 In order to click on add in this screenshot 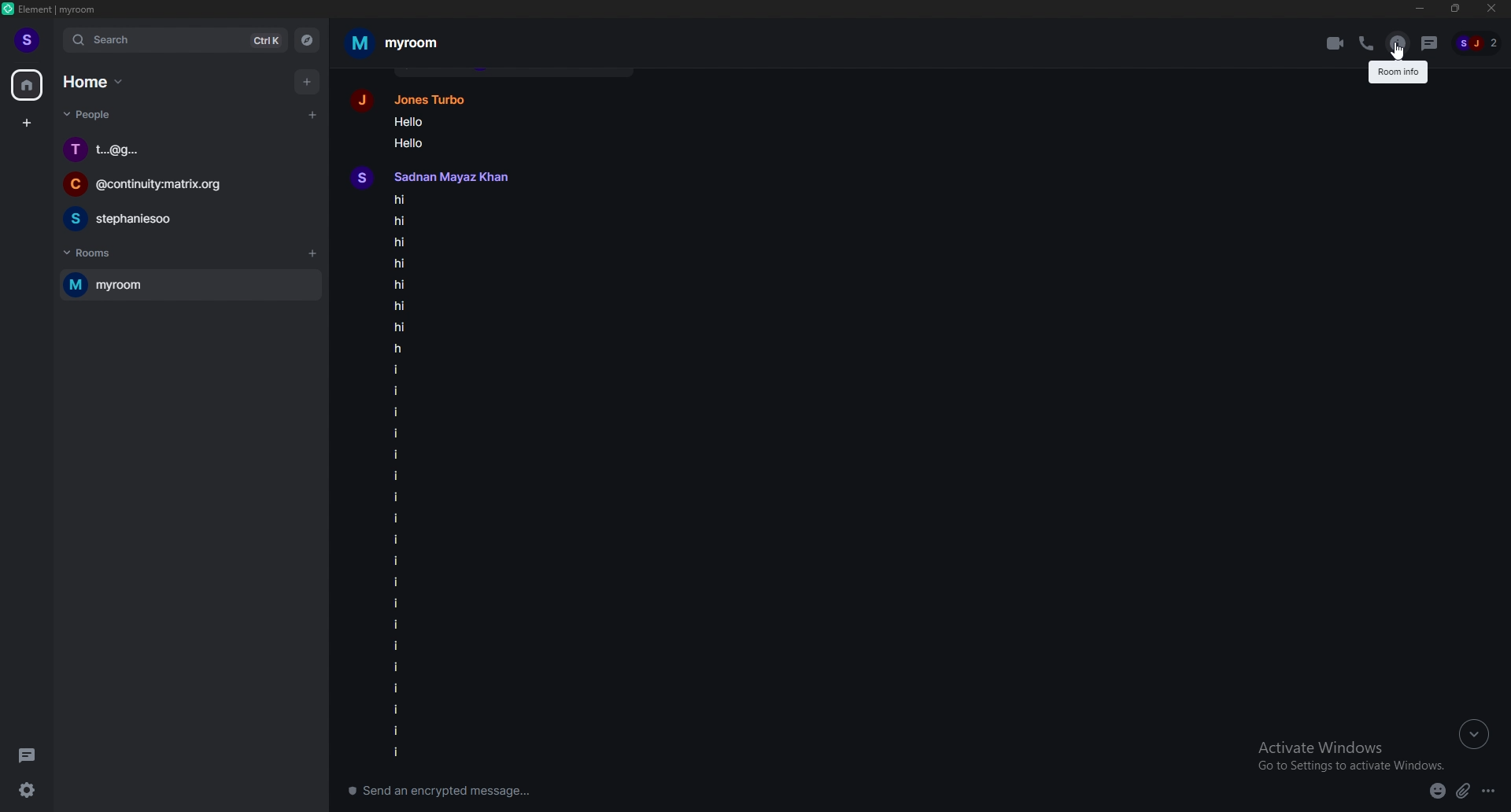, I will do `click(308, 83)`.